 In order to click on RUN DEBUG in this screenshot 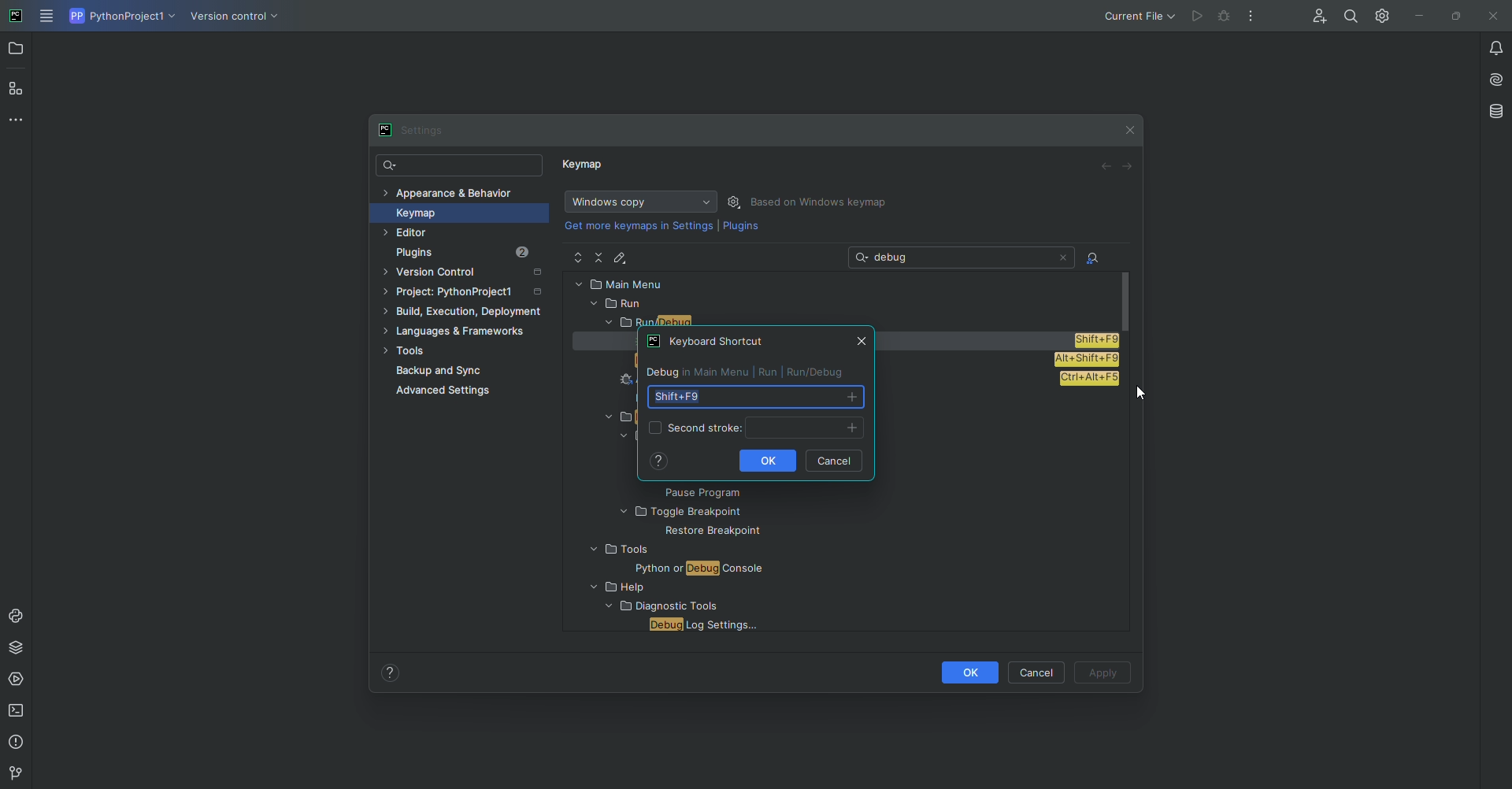, I will do `click(854, 319)`.